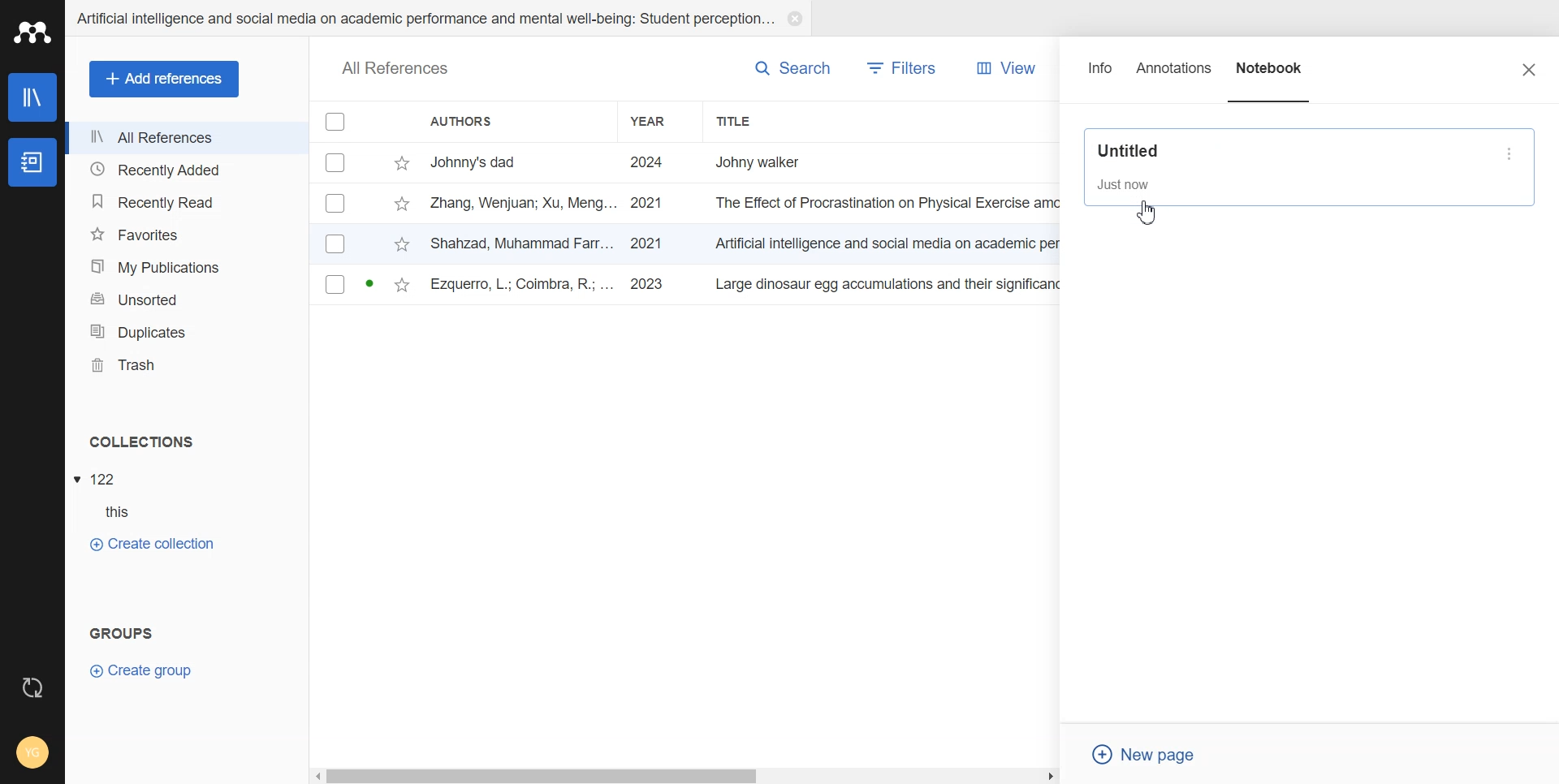  I want to click on Year, so click(661, 121).